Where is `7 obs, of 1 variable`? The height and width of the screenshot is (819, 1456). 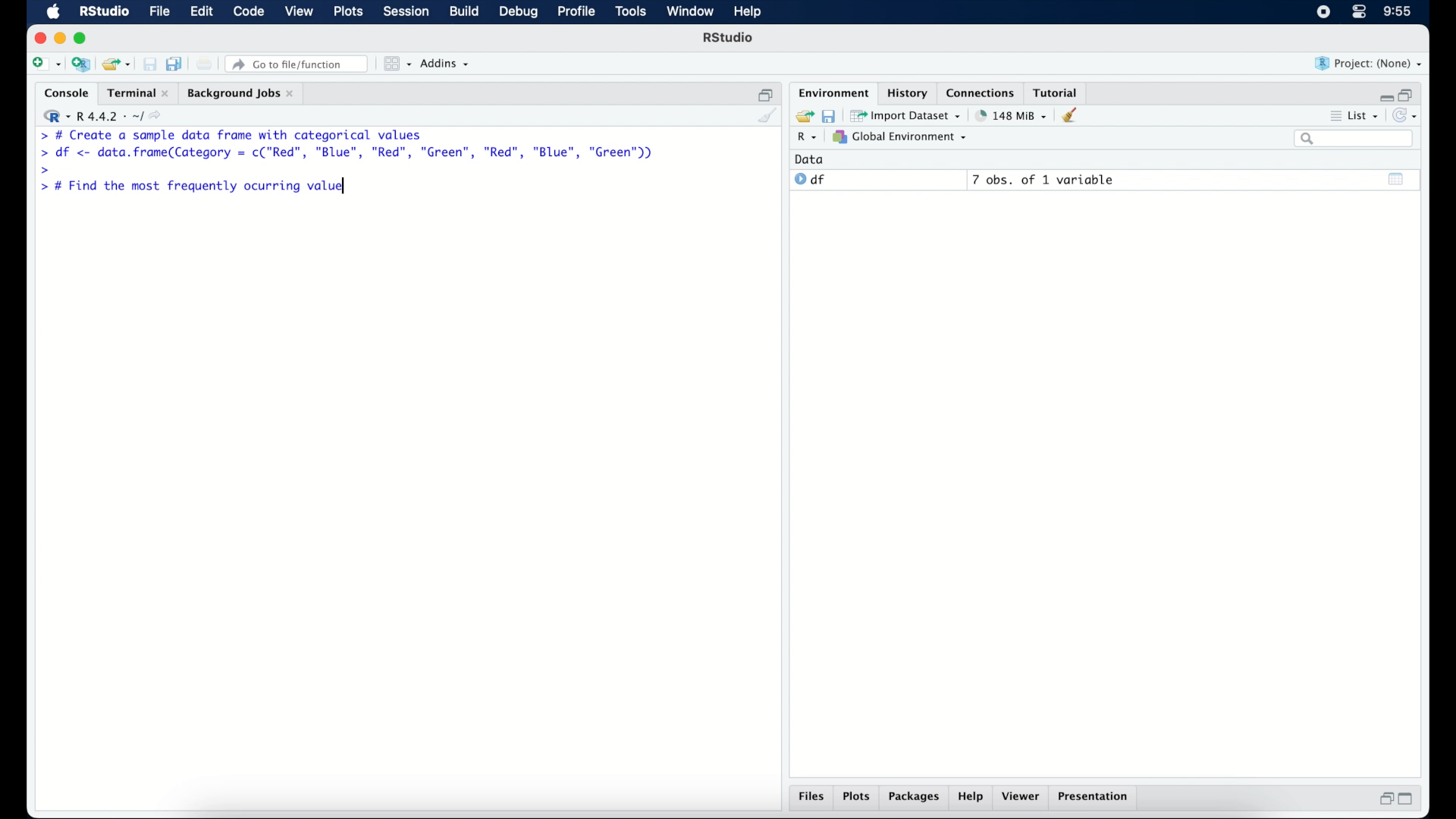 7 obs, of 1 variable is located at coordinates (1043, 180).